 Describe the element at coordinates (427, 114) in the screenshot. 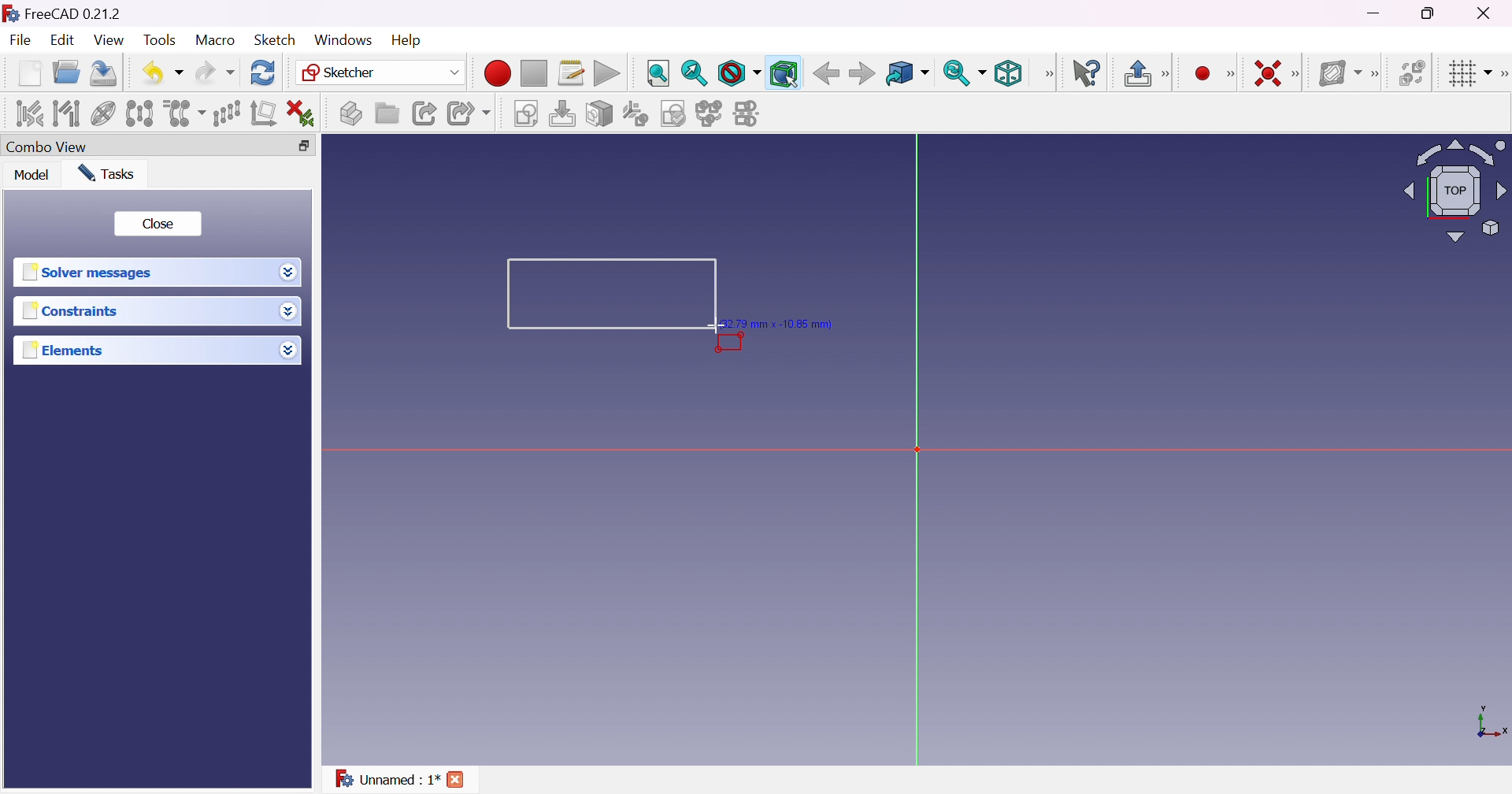

I see `Make link` at that location.